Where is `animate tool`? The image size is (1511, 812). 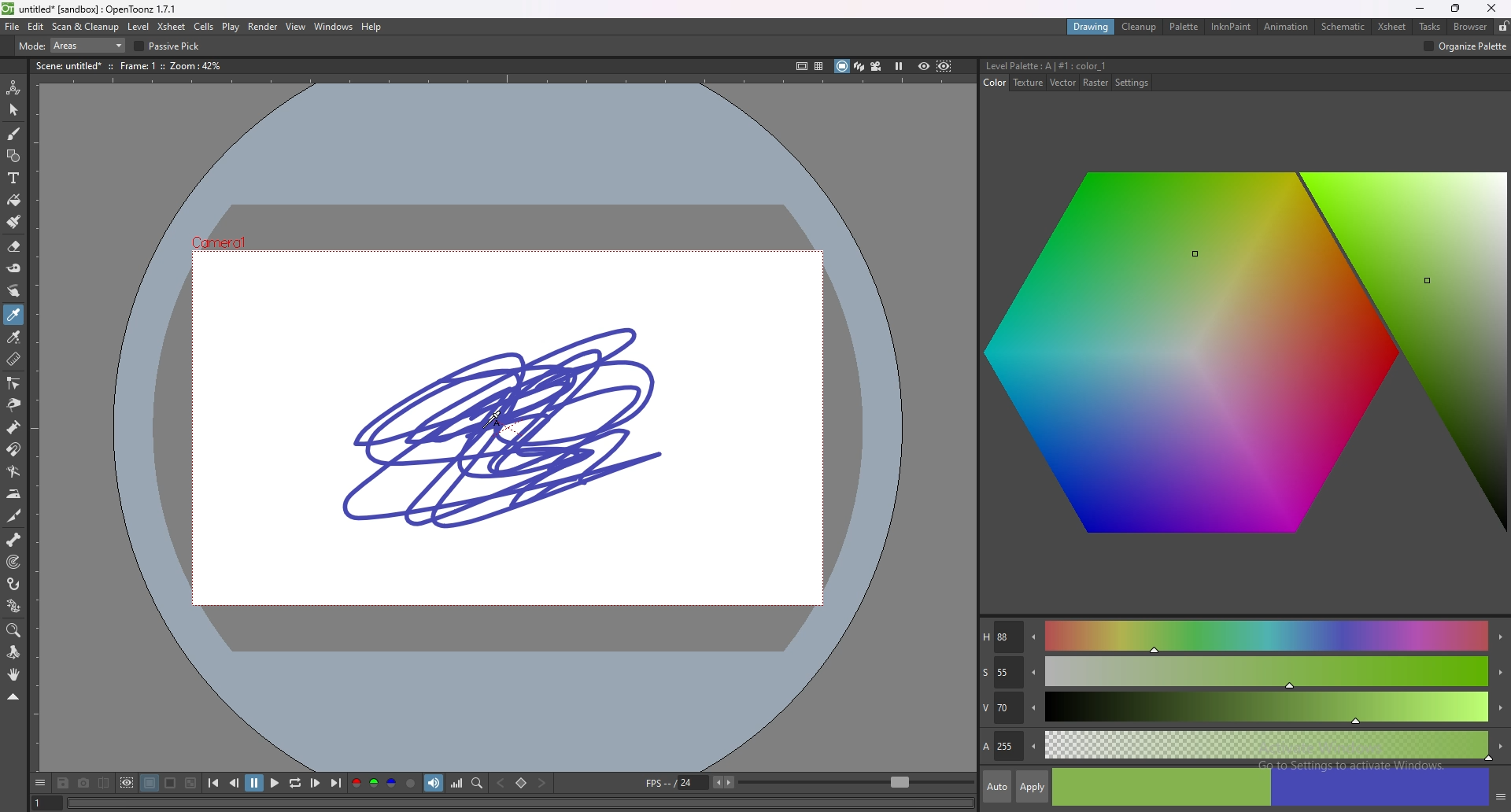
animate tool is located at coordinates (13, 88).